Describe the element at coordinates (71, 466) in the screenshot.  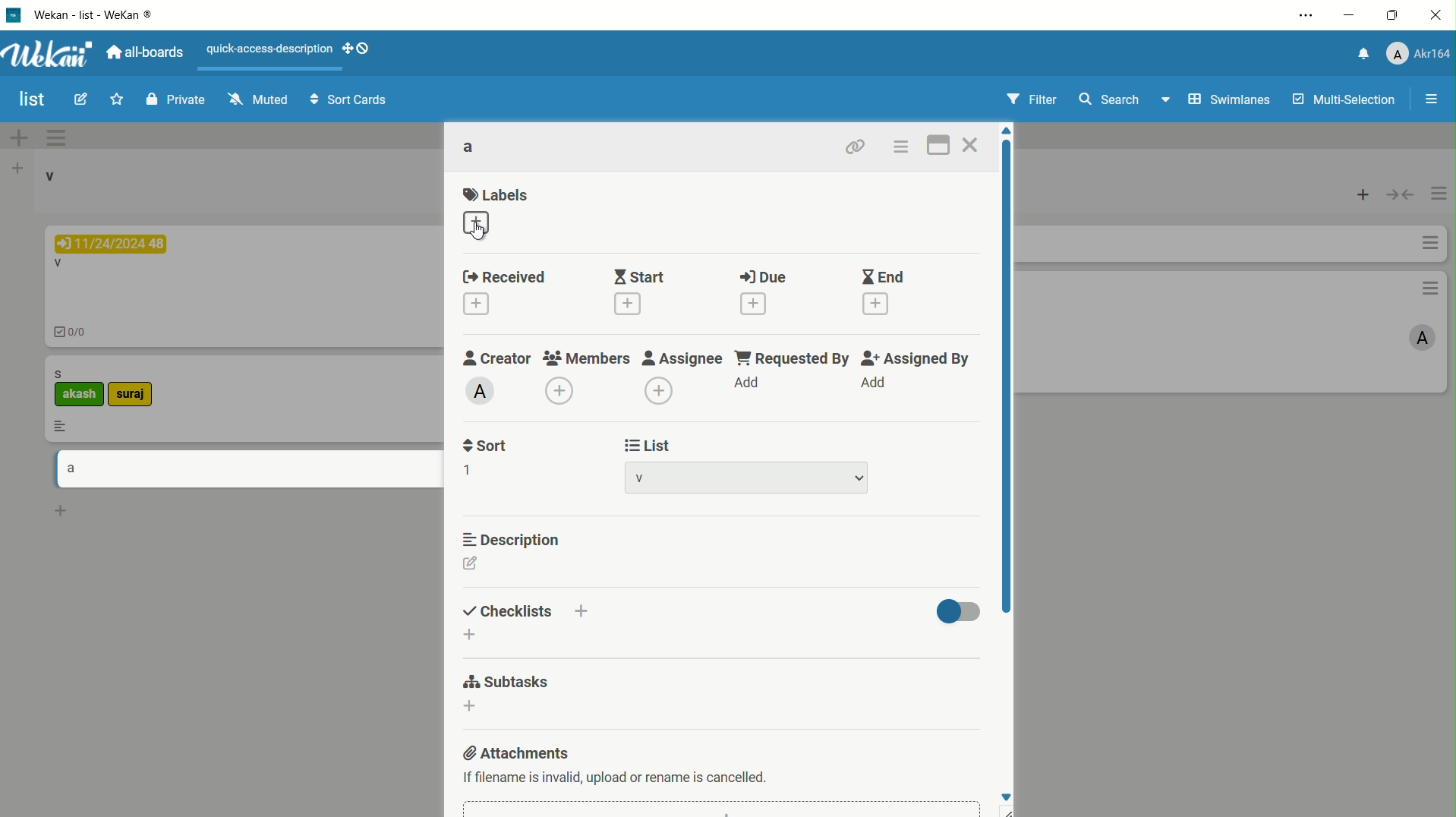
I see `a` at that location.